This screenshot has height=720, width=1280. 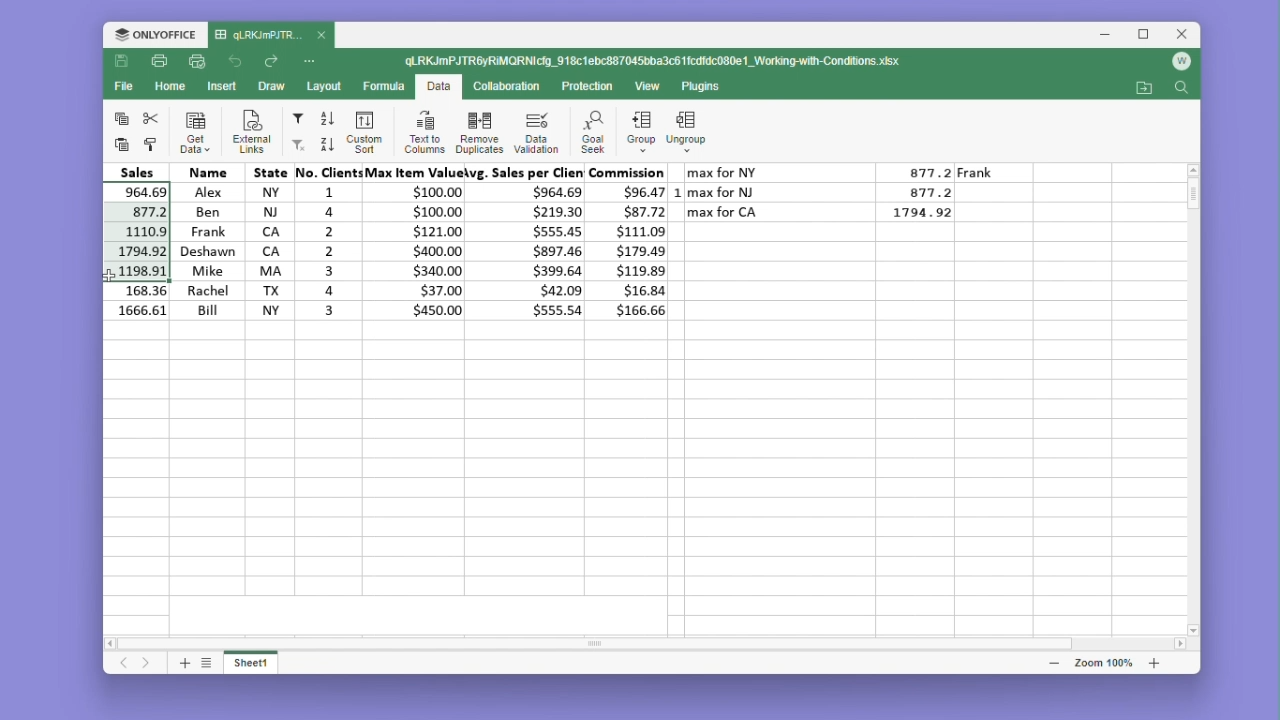 What do you see at coordinates (1181, 89) in the screenshot?
I see `Search` at bounding box center [1181, 89].